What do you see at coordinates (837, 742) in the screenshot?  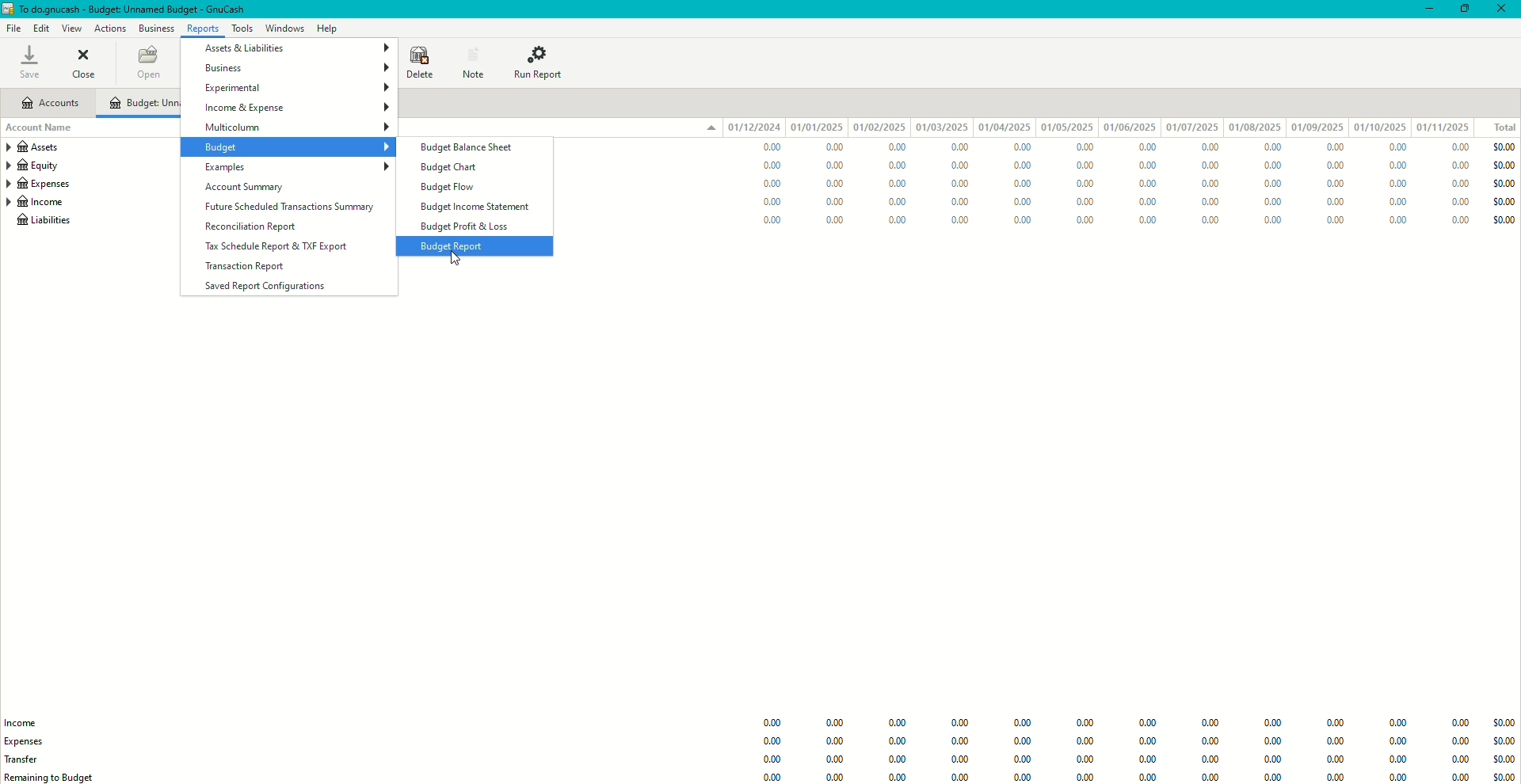 I see `0.00` at bounding box center [837, 742].